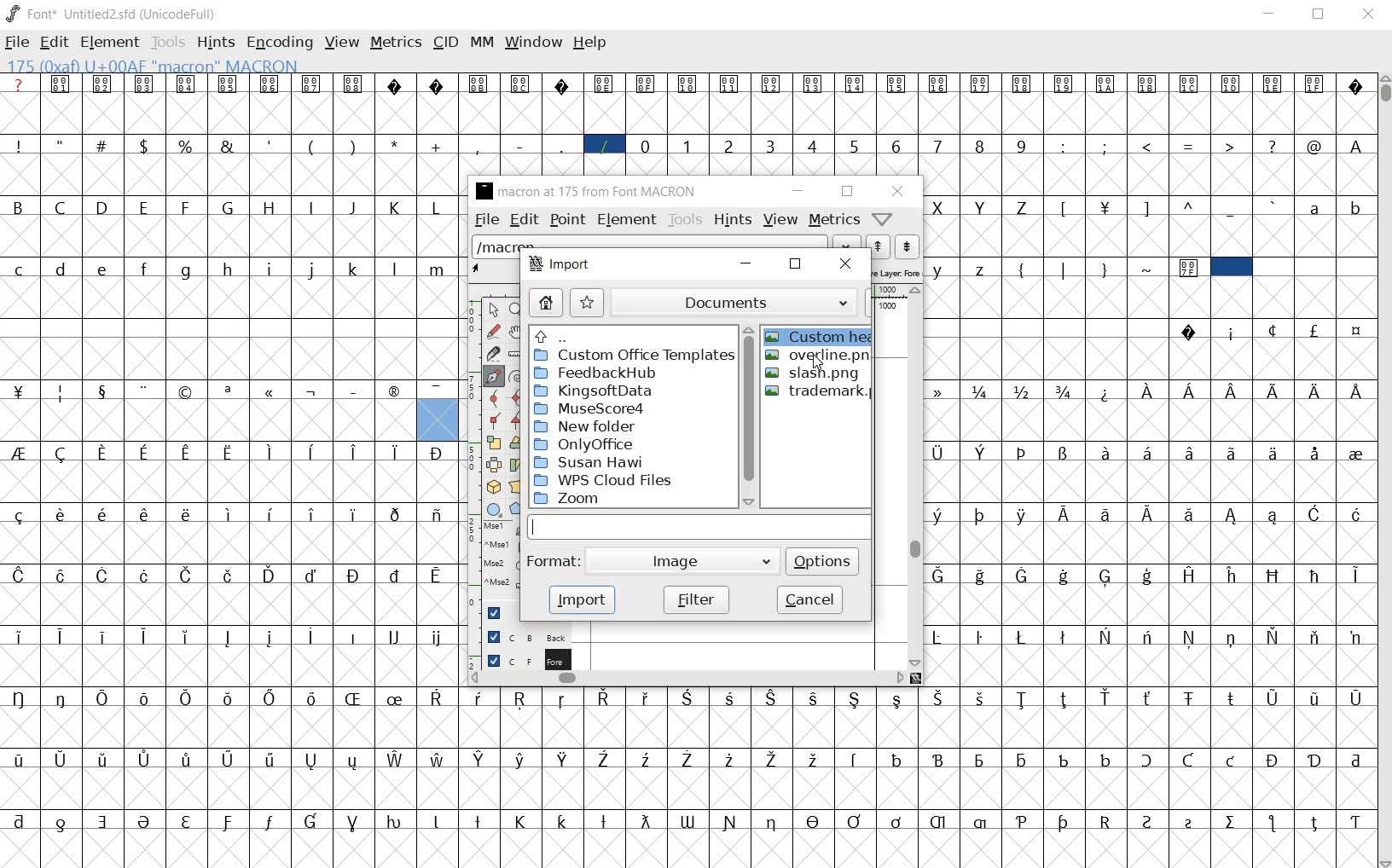 Image resolution: width=1392 pixels, height=868 pixels. I want to click on import, so click(565, 264).